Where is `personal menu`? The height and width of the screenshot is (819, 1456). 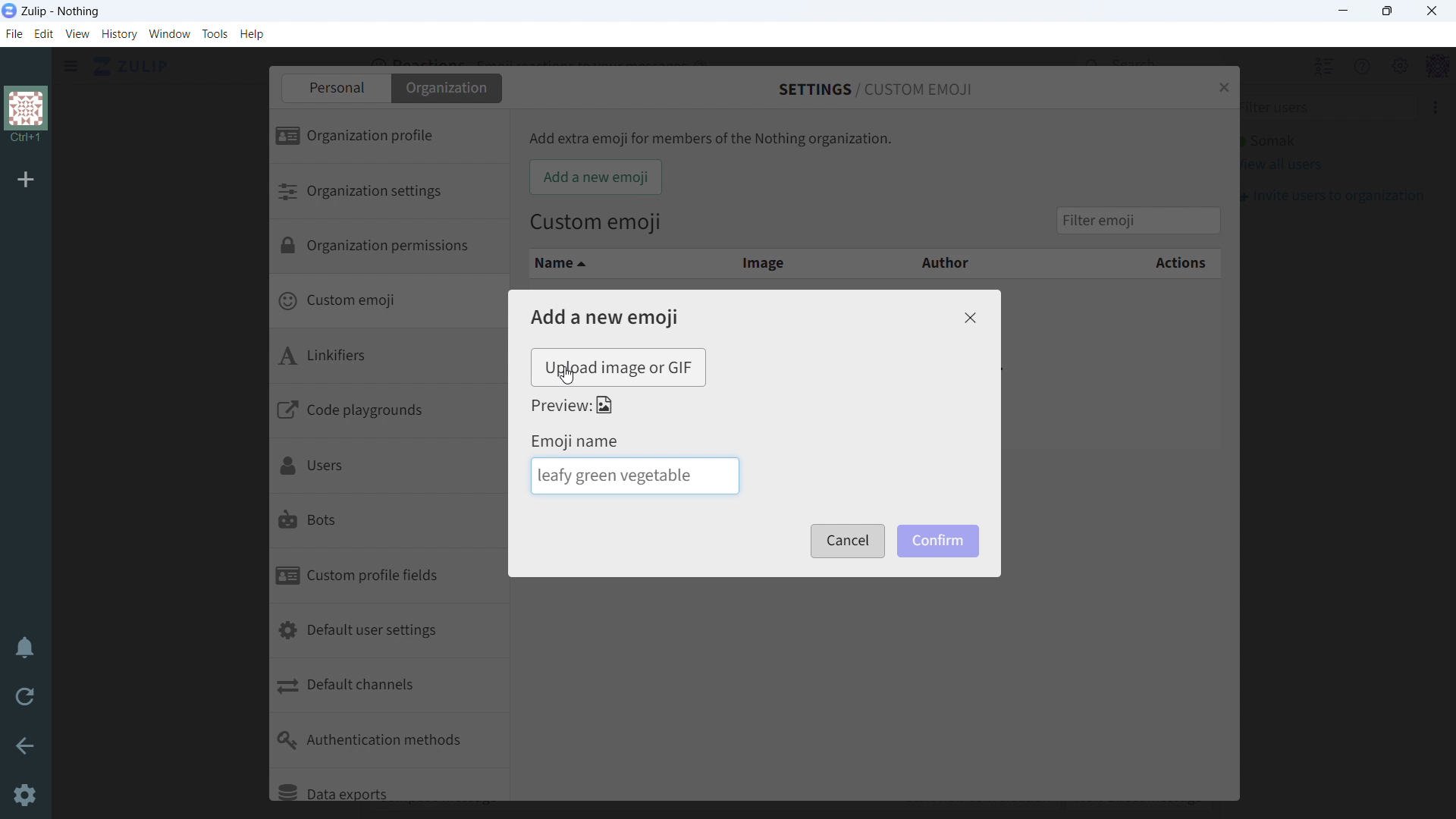
personal menu is located at coordinates (1423, 66).